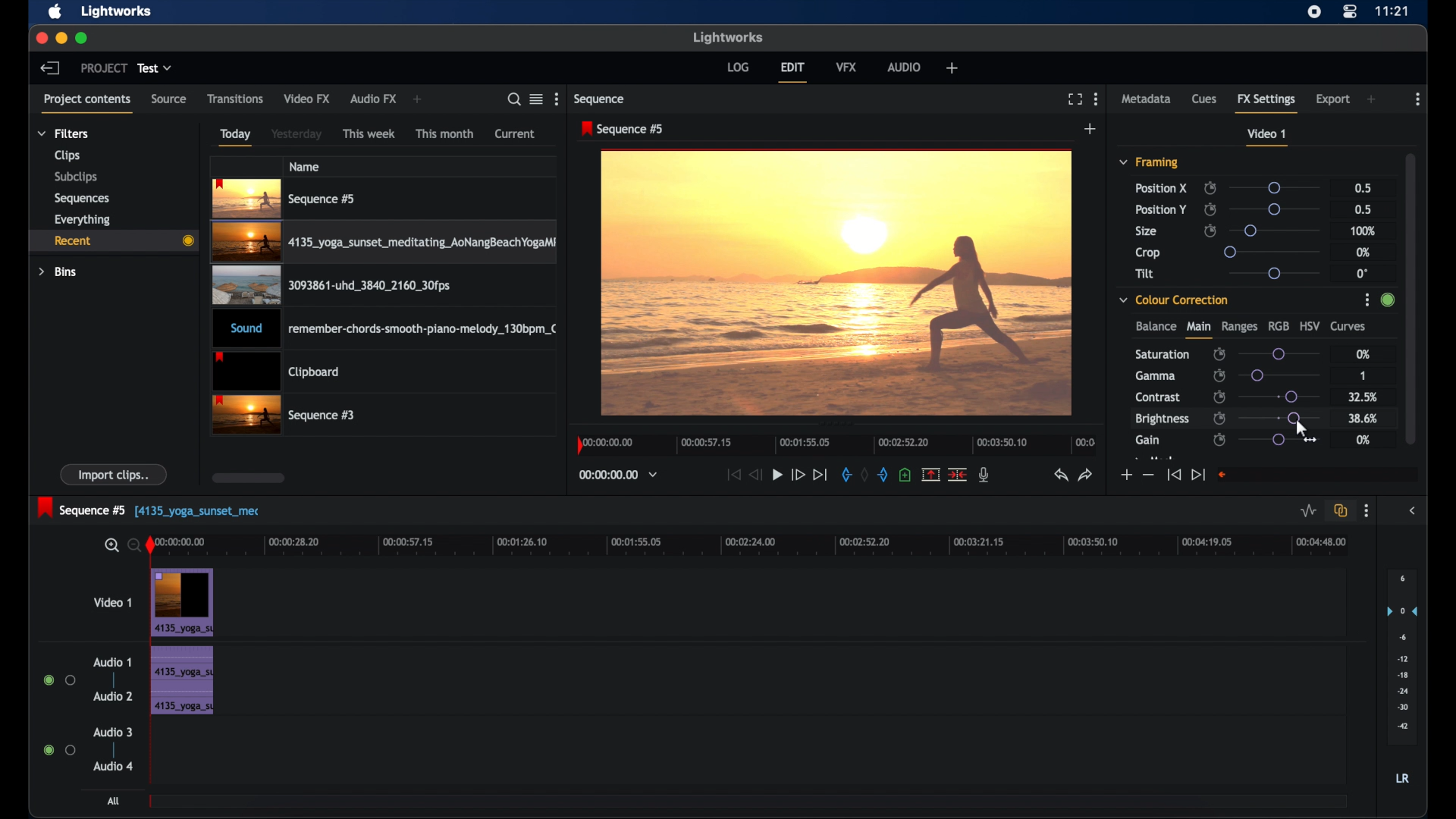  I want to click on video clip, so click(386, 244).